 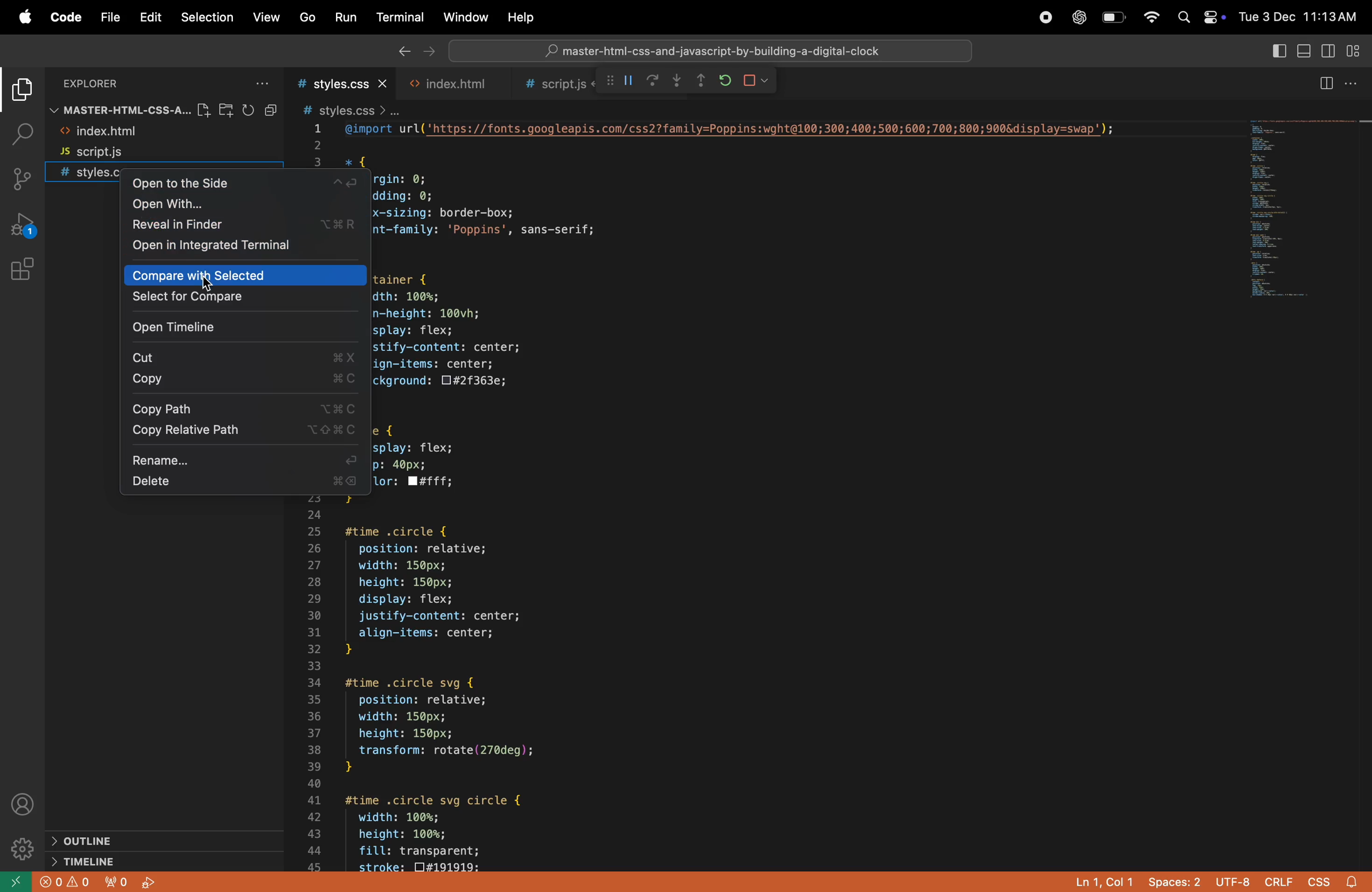 What do you see at coordinates (26, 228) in the screenshot?
I see `run and debug` at bounding box center [26, 228].